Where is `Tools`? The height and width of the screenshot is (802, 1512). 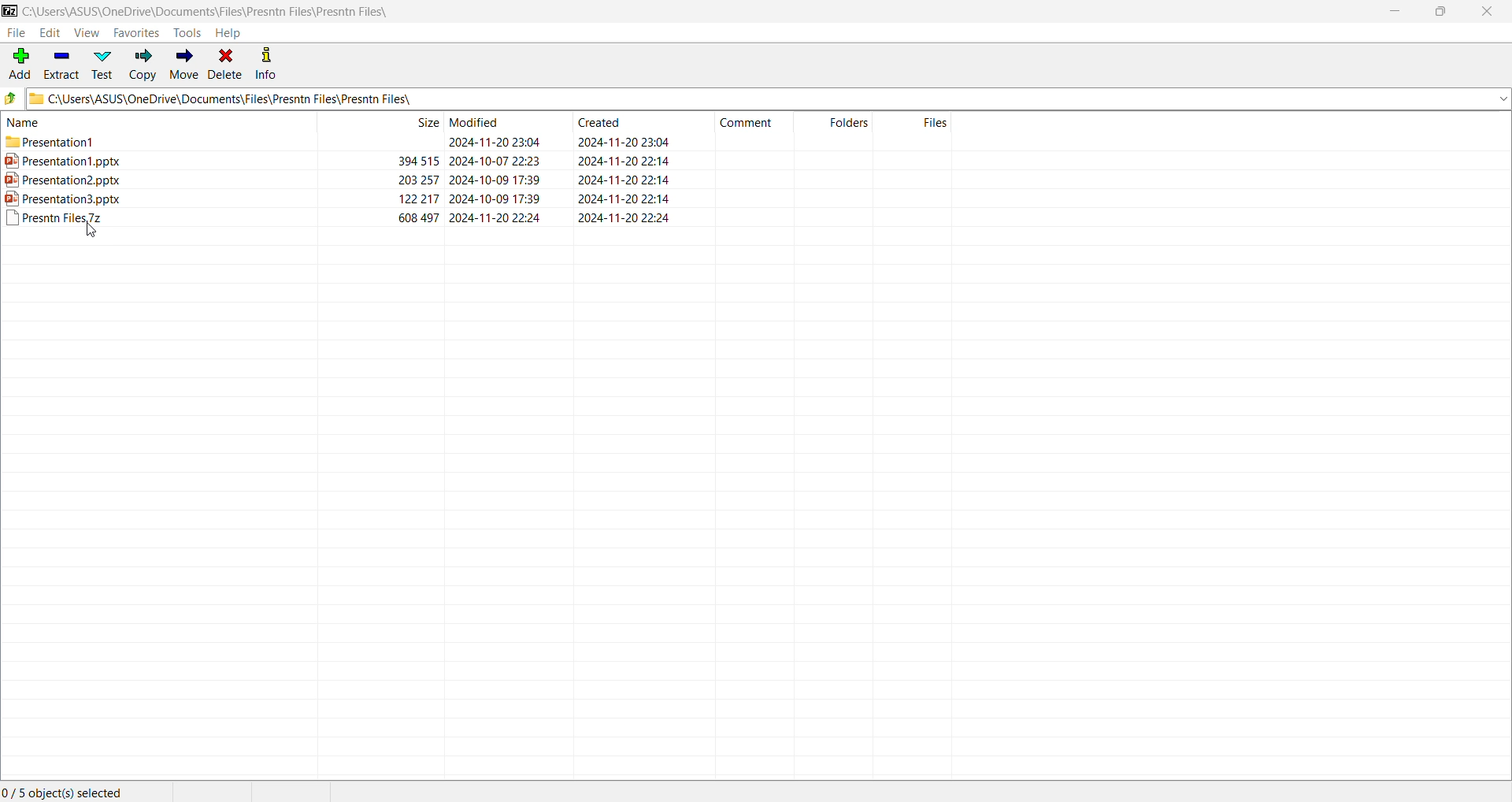 Tools is located at coordinates (189, 33).